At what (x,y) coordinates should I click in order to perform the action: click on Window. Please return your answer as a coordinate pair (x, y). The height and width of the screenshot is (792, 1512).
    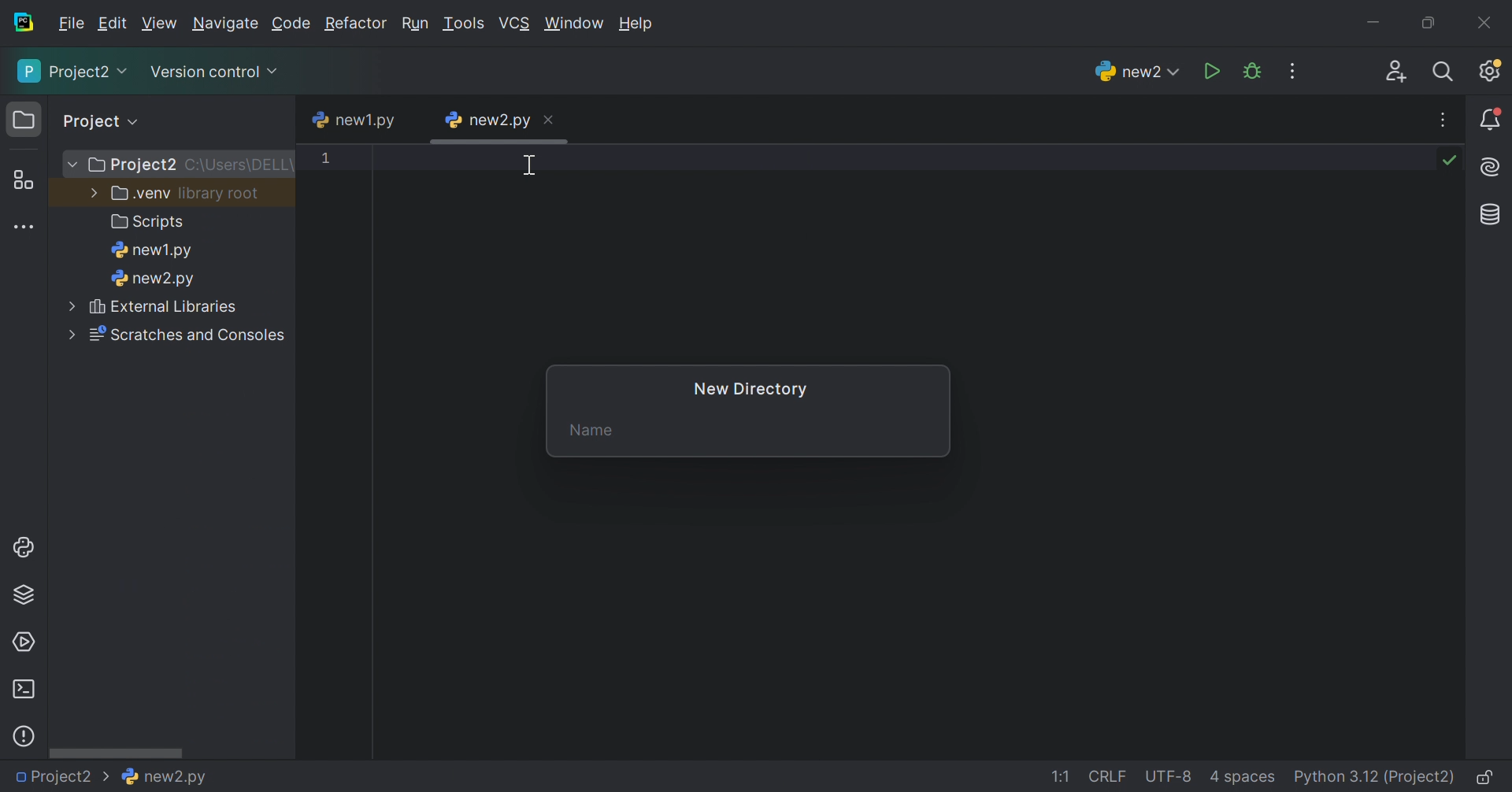
    Looking at the image, I should click on (574, 23).